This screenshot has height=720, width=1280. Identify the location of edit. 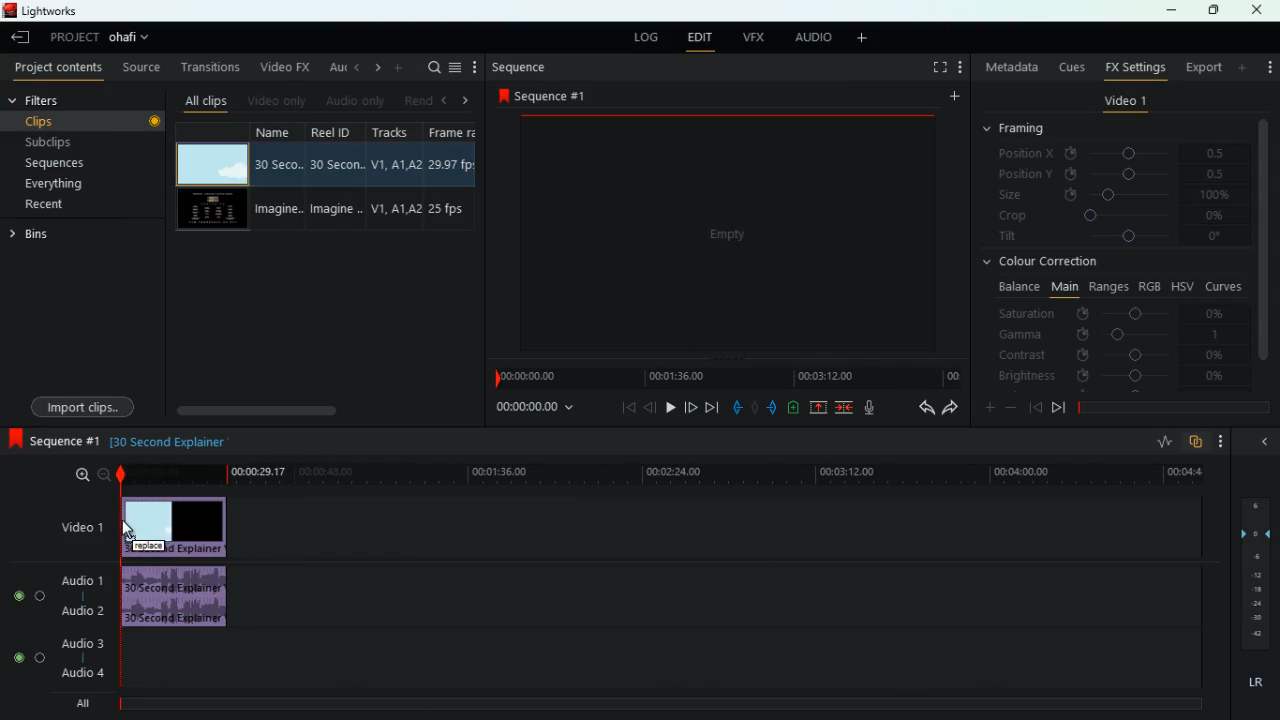
(699, 39).